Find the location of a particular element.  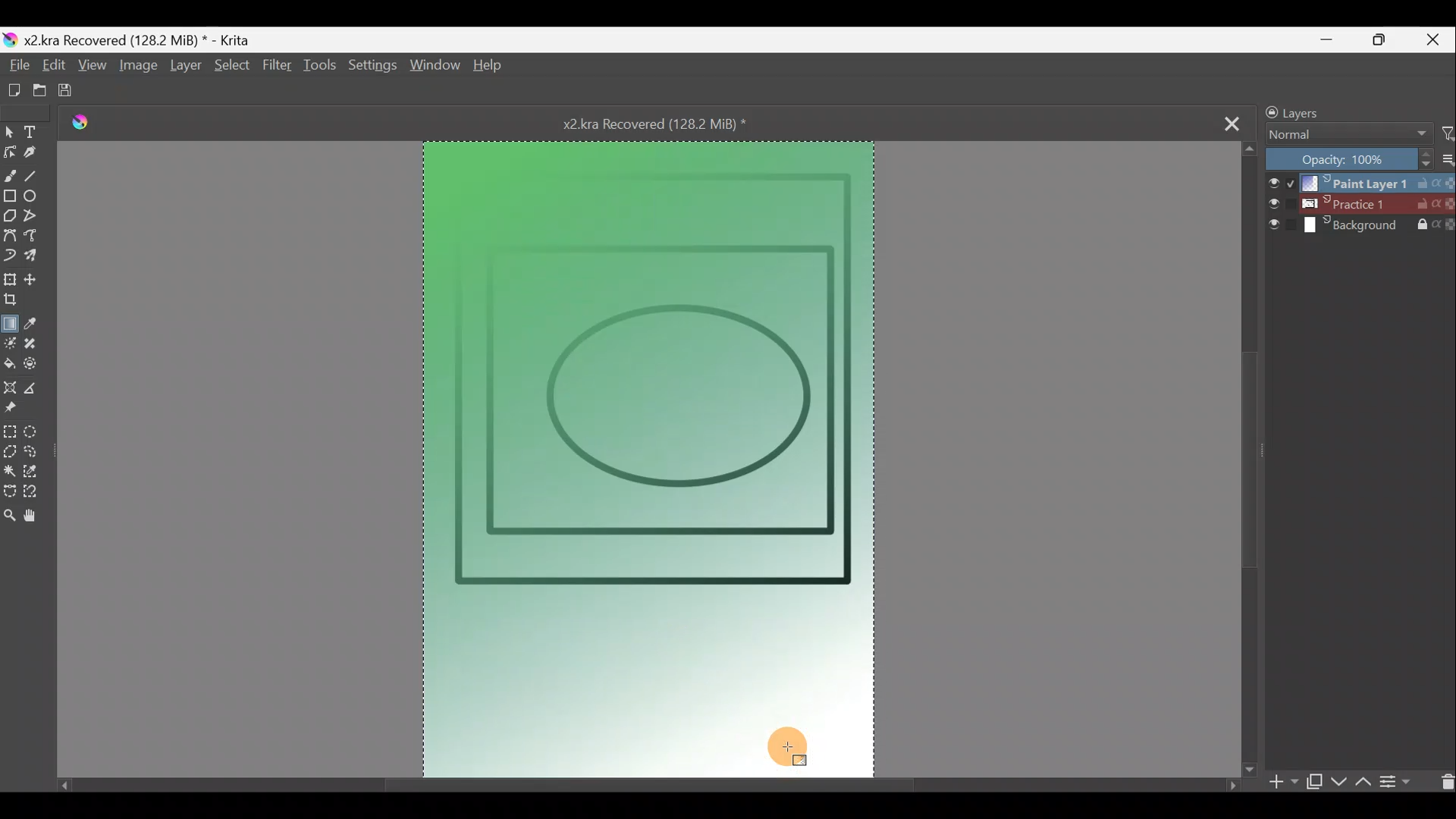

Maximise is located at coordinates (1386, 40).